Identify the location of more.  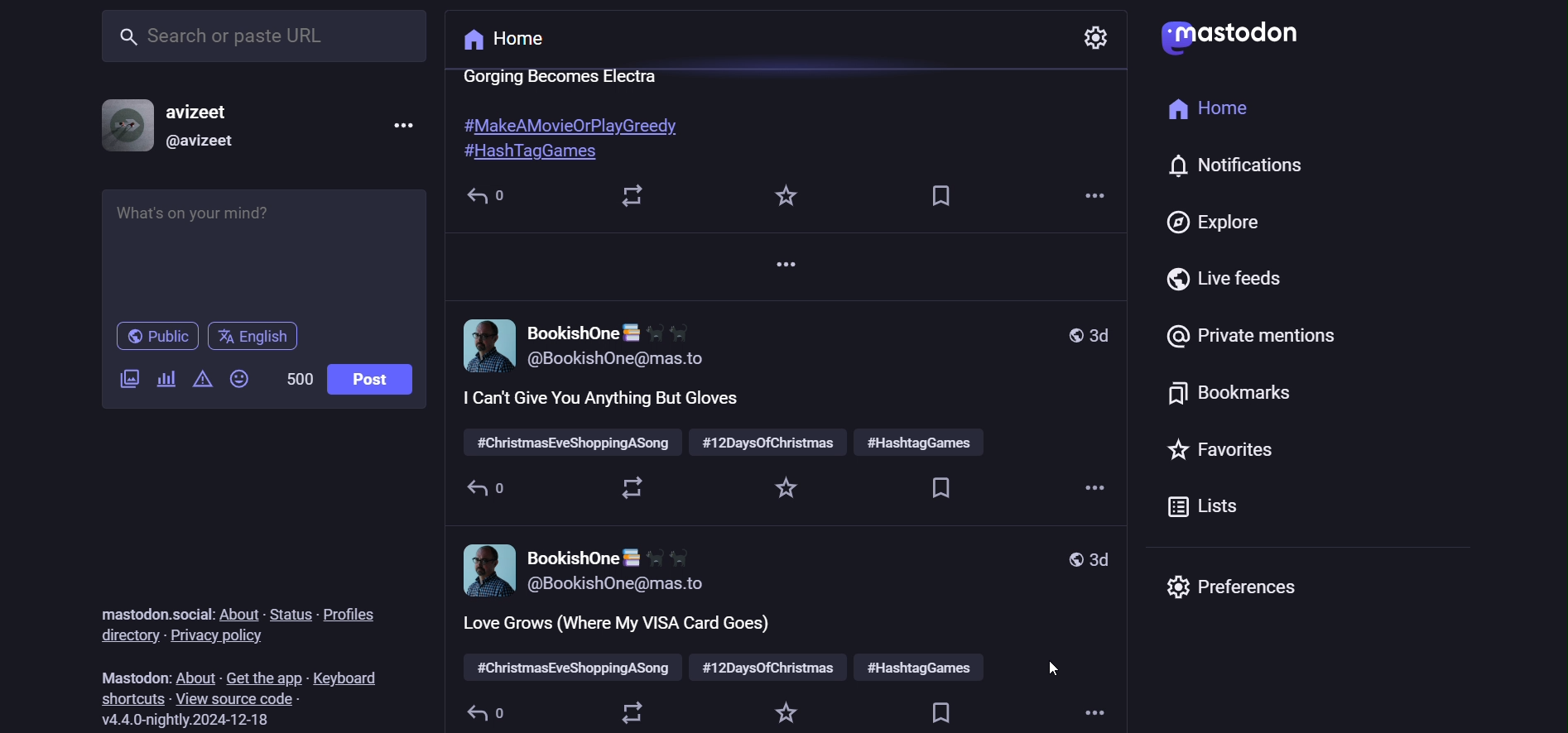
(1089, 714).